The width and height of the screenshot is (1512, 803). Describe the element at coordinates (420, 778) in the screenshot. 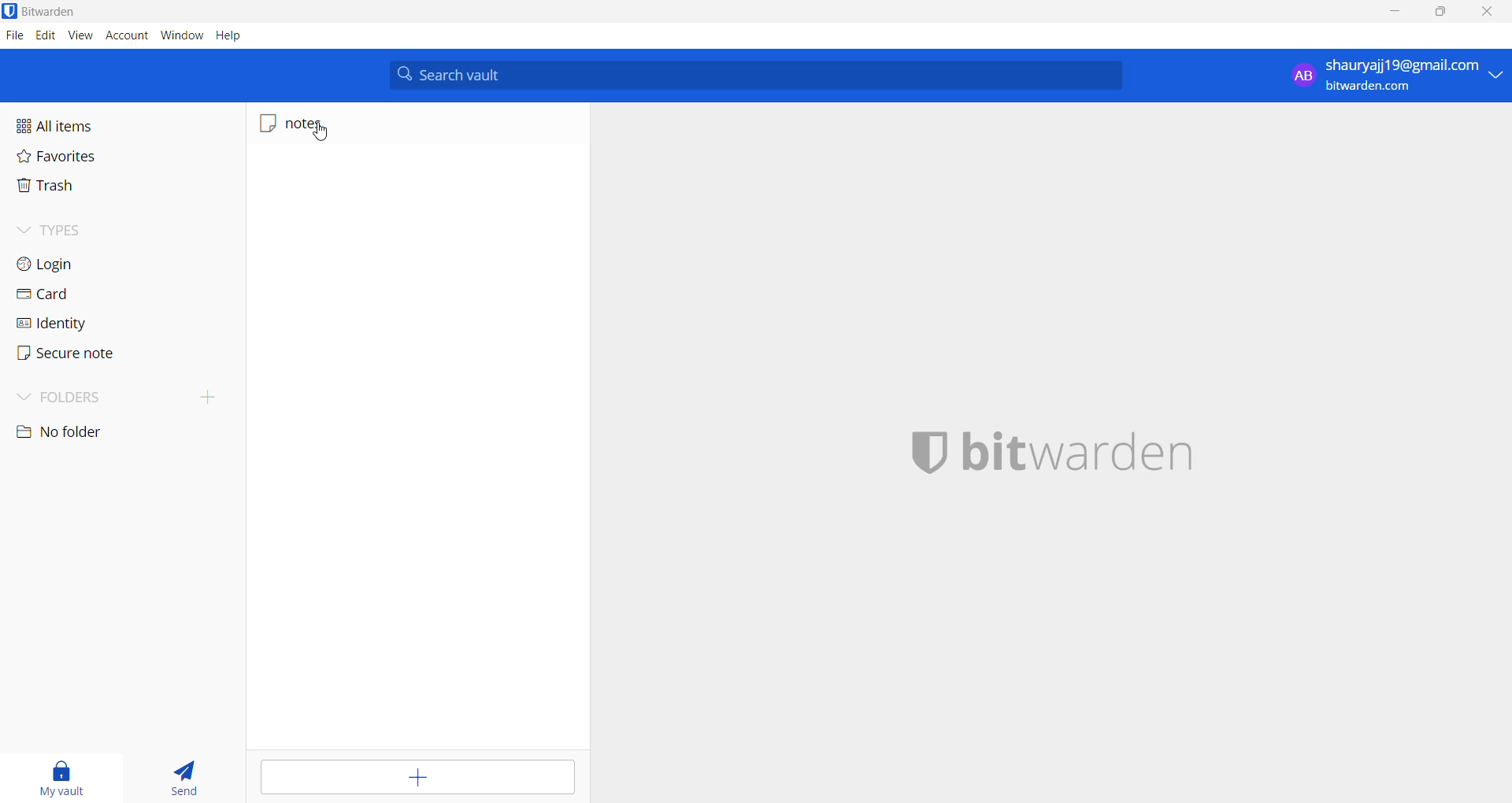

I see `add` at that location.